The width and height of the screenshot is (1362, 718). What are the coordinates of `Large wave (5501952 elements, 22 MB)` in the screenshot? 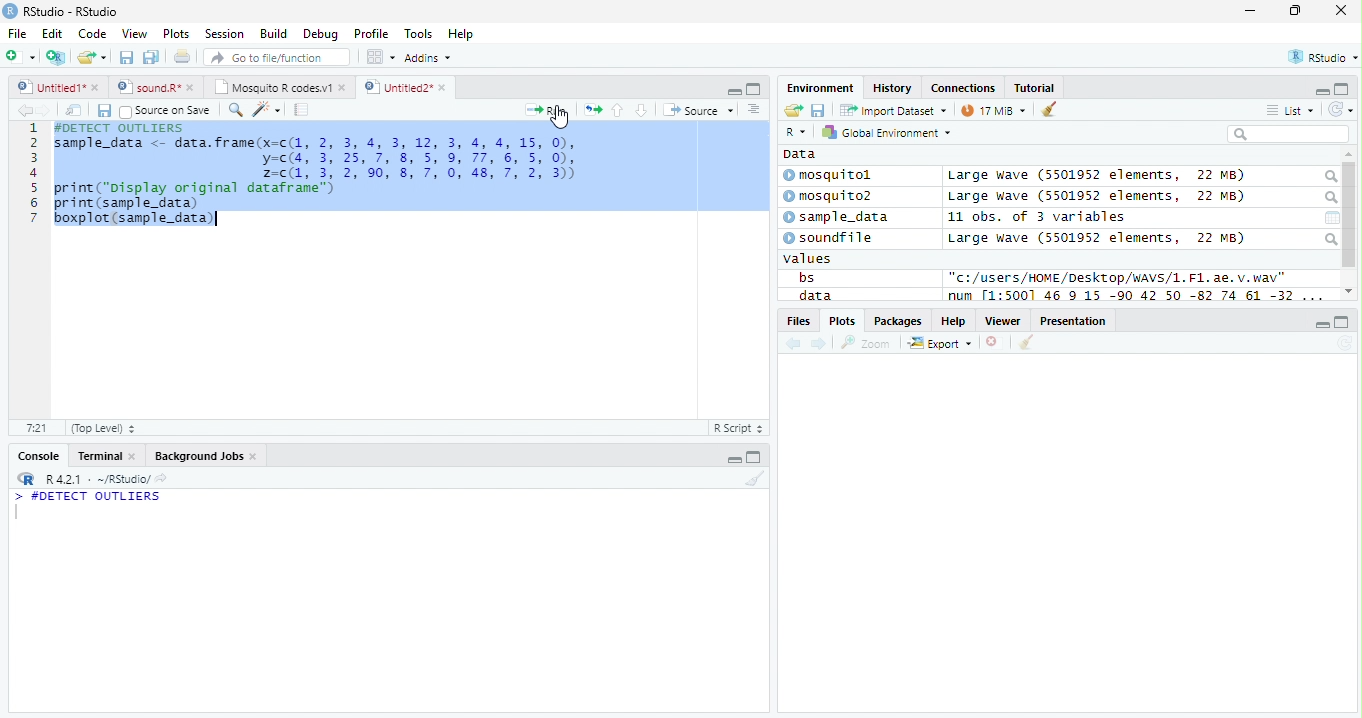 It's located at (1096, 238).